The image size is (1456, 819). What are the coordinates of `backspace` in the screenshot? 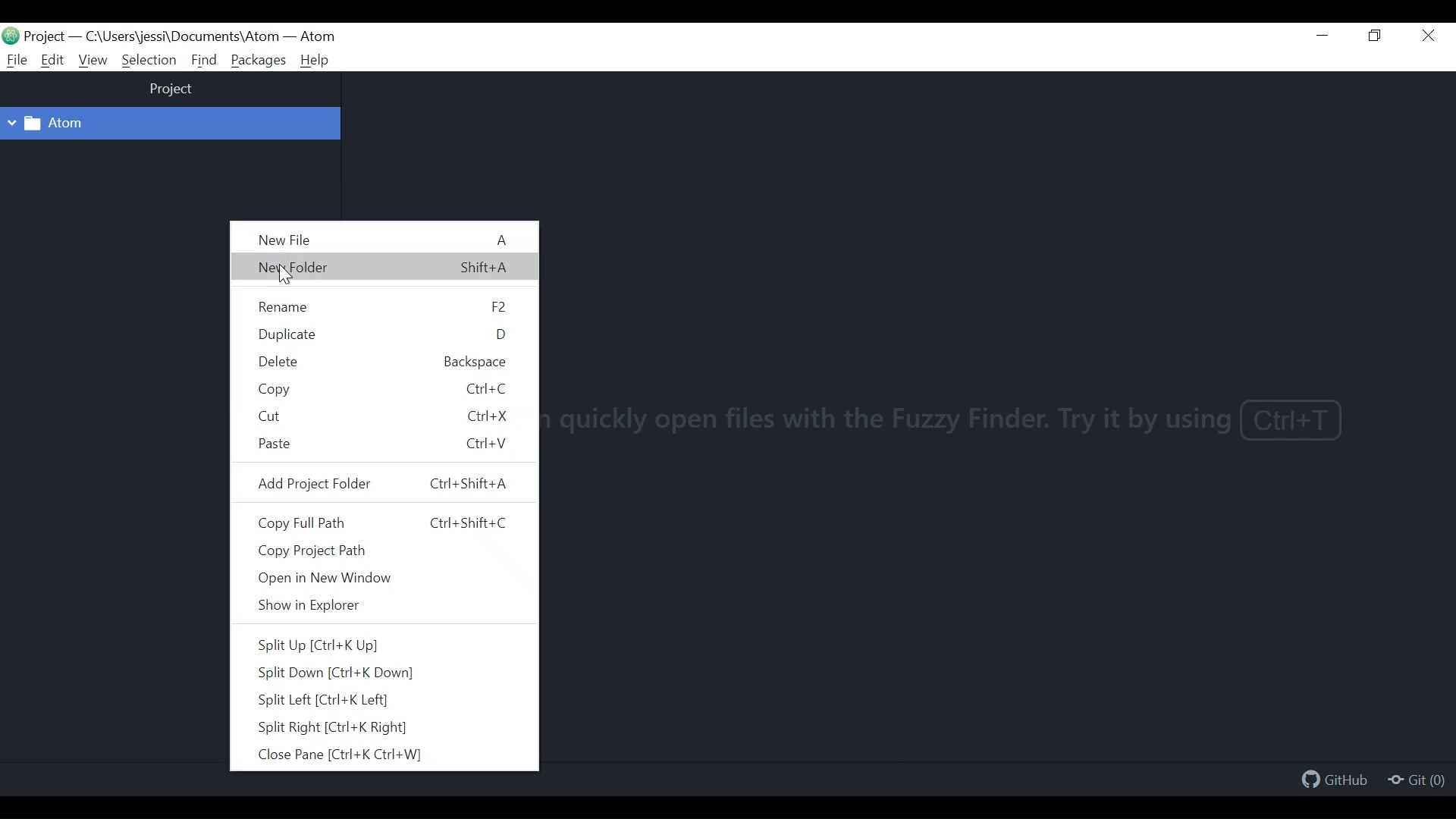 It's located at (472, 362).